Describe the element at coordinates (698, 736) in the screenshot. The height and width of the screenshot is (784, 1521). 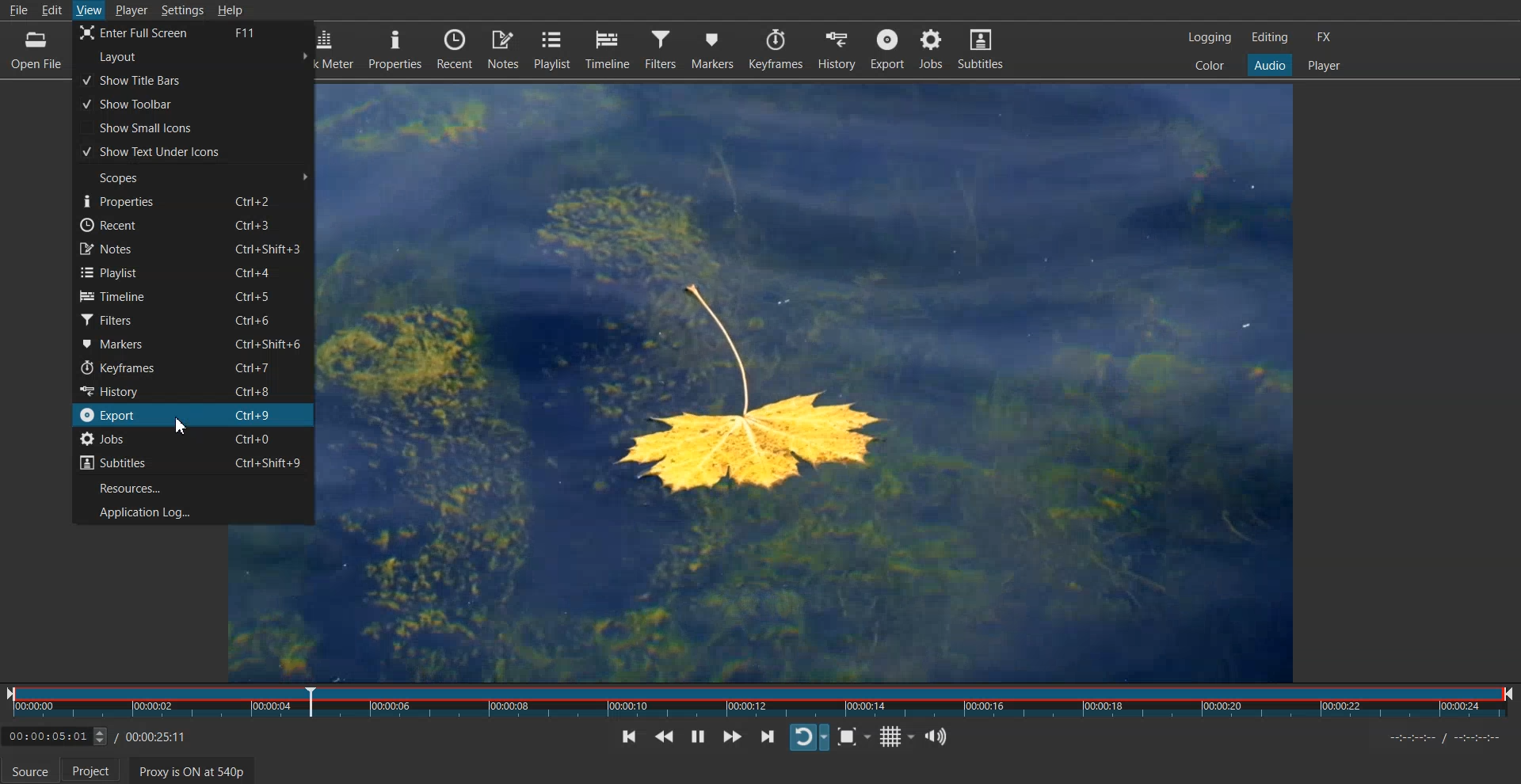
I see `Toggle play or pause` at that location.